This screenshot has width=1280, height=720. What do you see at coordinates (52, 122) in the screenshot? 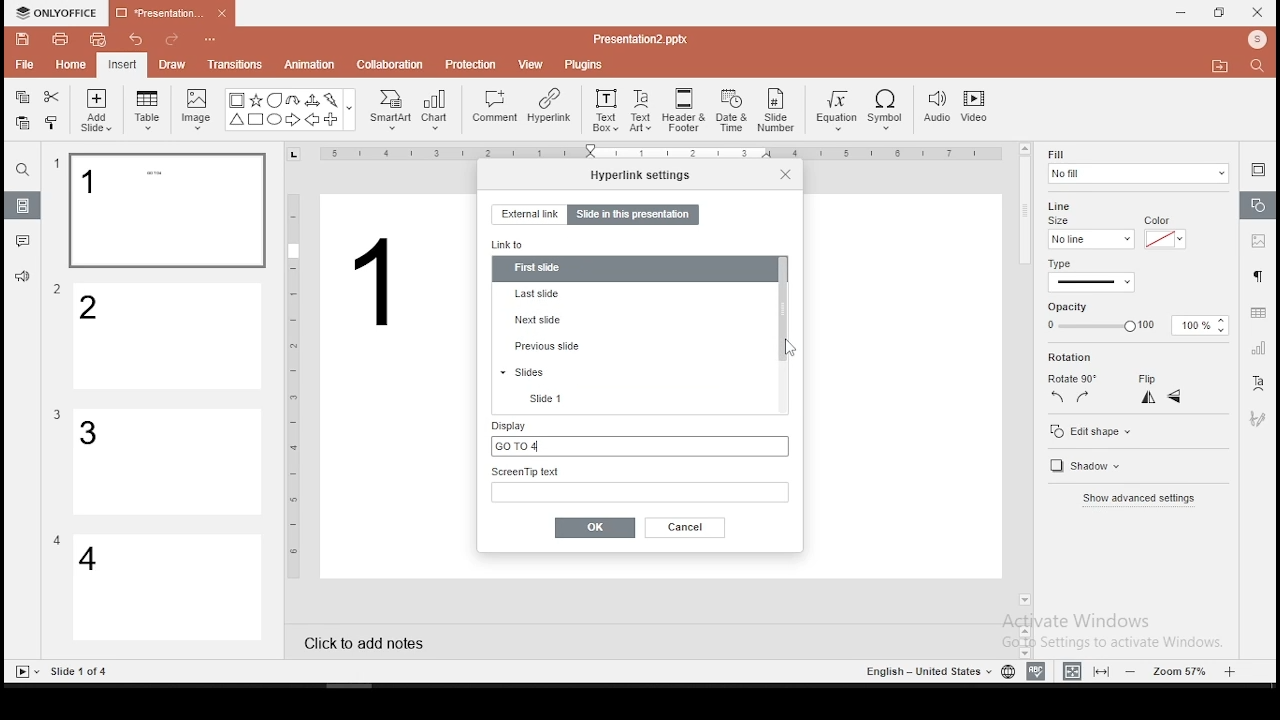
I see `clone formatting` at bounding box center [52, 122].